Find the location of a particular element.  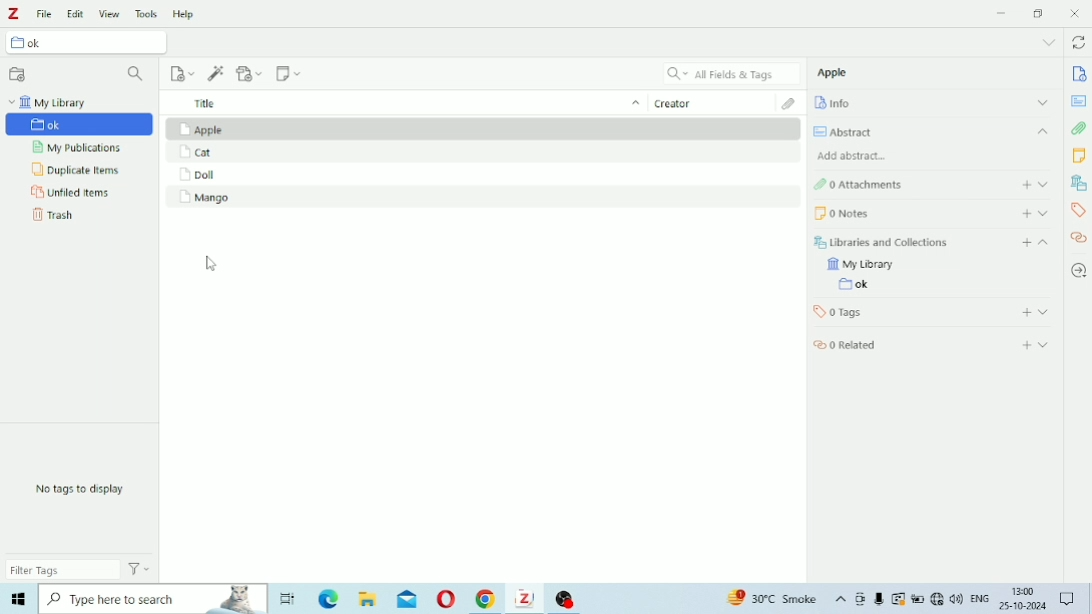

Apple is located at coordinates (207, 129).